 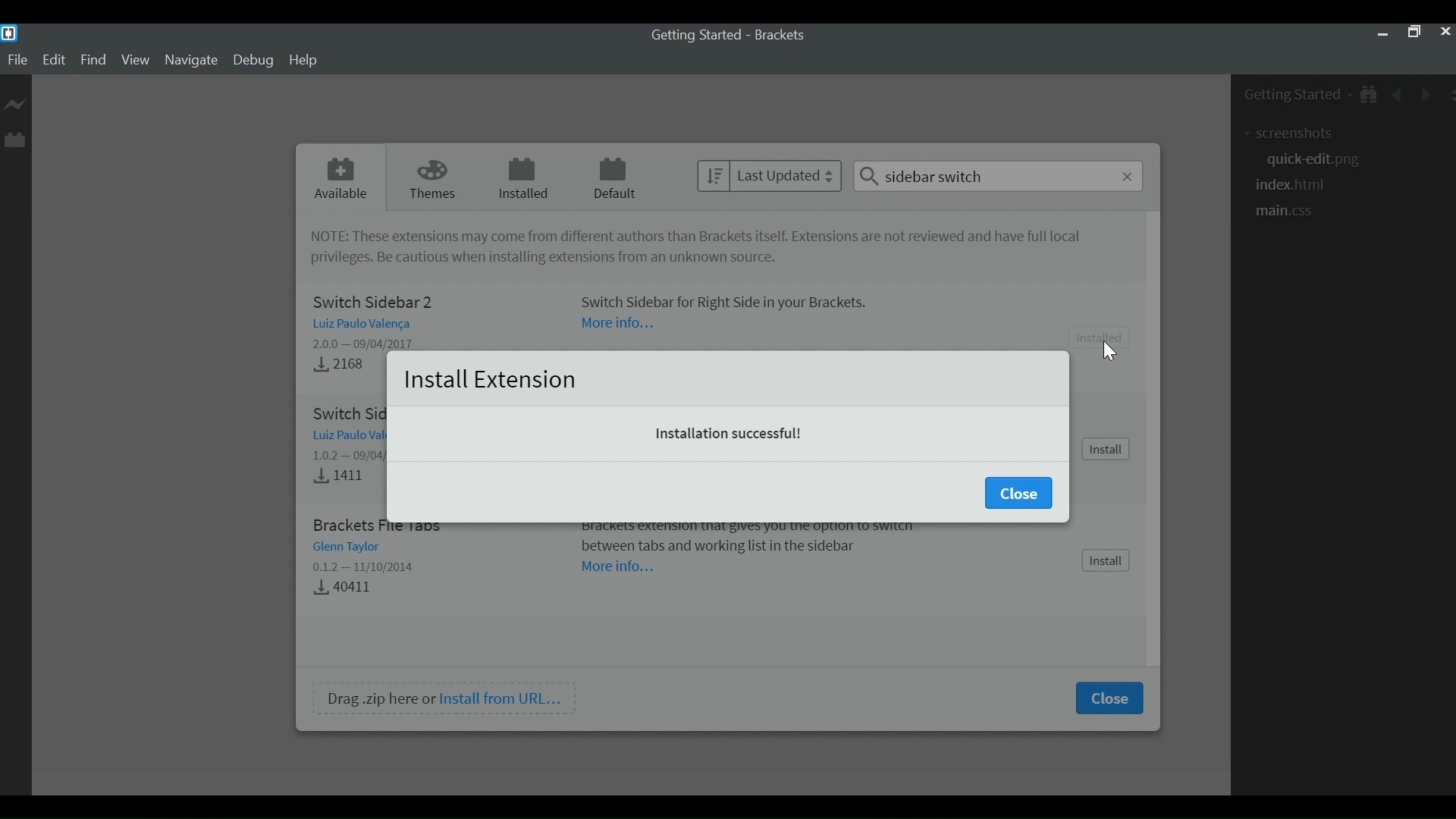 What do you see at coordinates (9, 33) in the screenshot?
I see `Brackets Desktop icon` at bounding box center [9, 33].